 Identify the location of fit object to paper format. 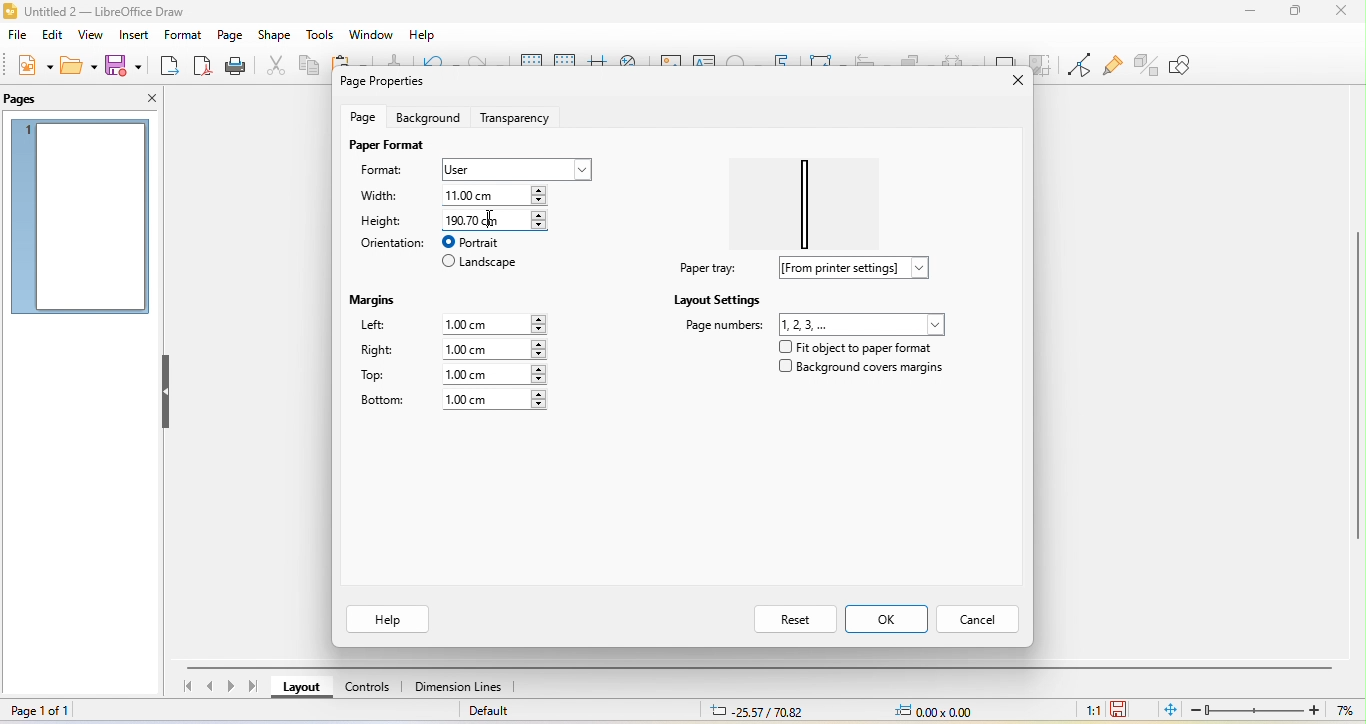
(853, 347).